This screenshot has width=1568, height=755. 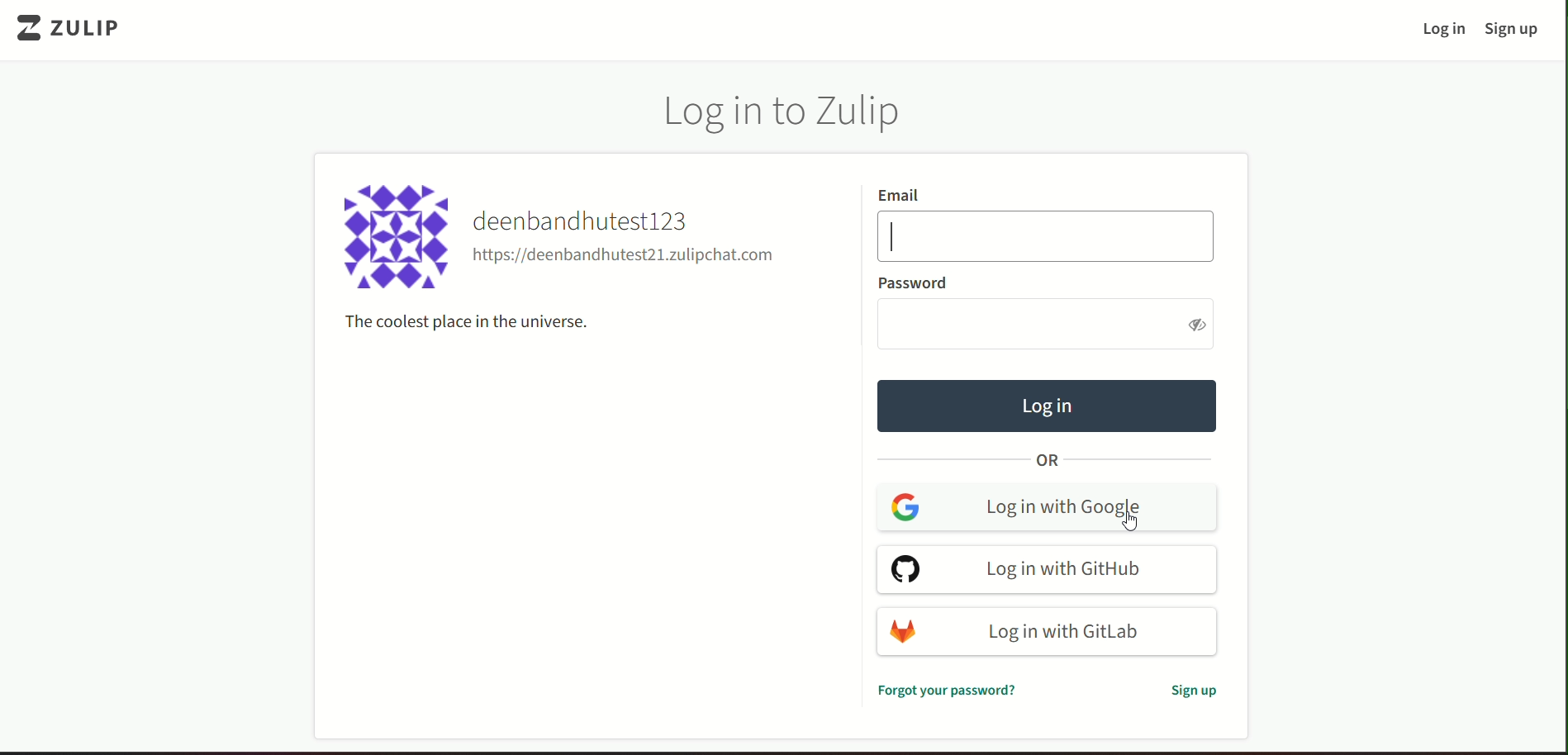 I want to click on button, so click(x=1047, y=508).